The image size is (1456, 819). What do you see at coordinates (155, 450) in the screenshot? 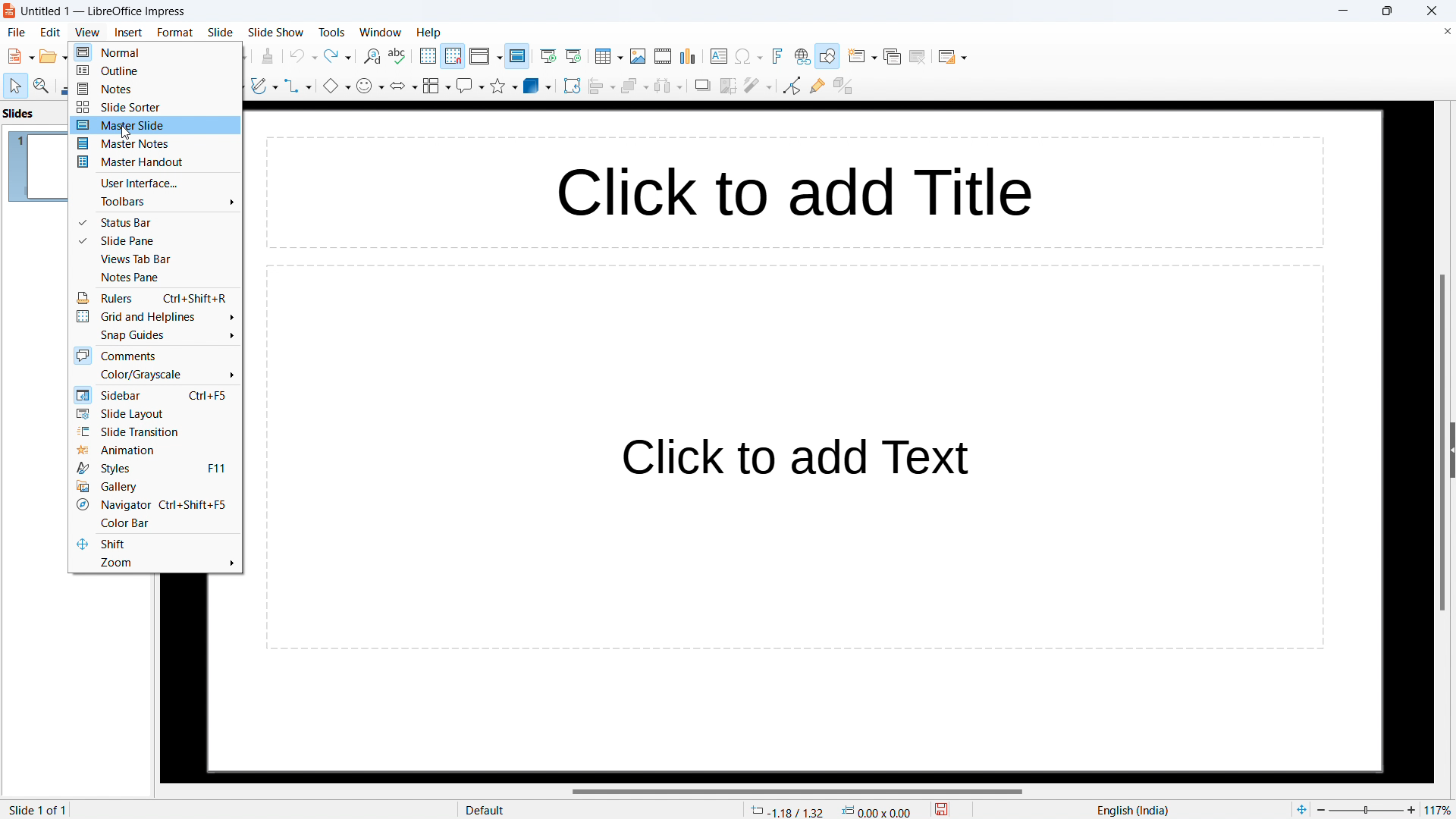
I see `animation` at bounding box center [155, 450].